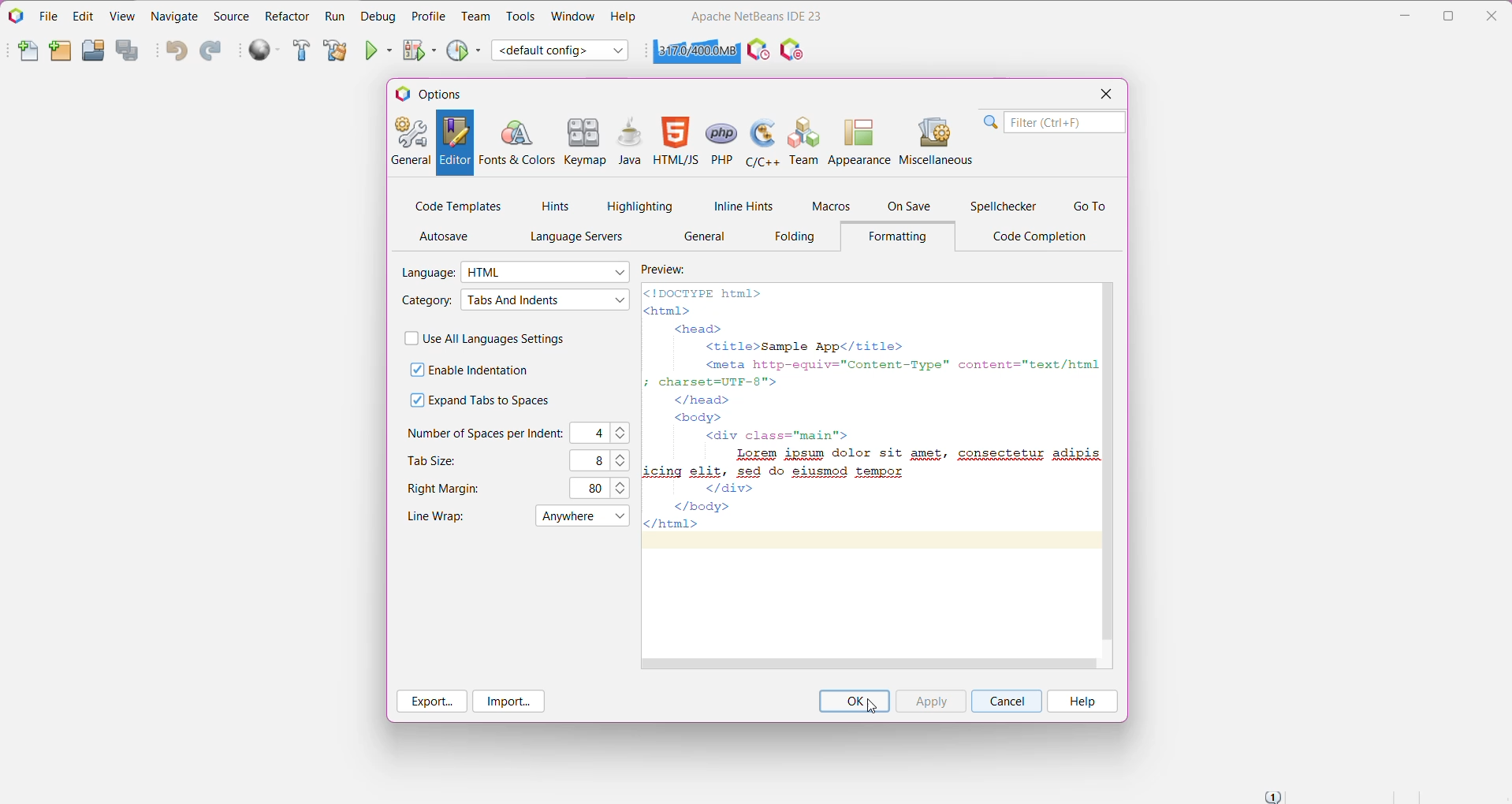 The width and height of the screenshot is (1512, 804). Describe the element at coordinates (464, 50) in the screenshot. I see `Profile Project` at that location.